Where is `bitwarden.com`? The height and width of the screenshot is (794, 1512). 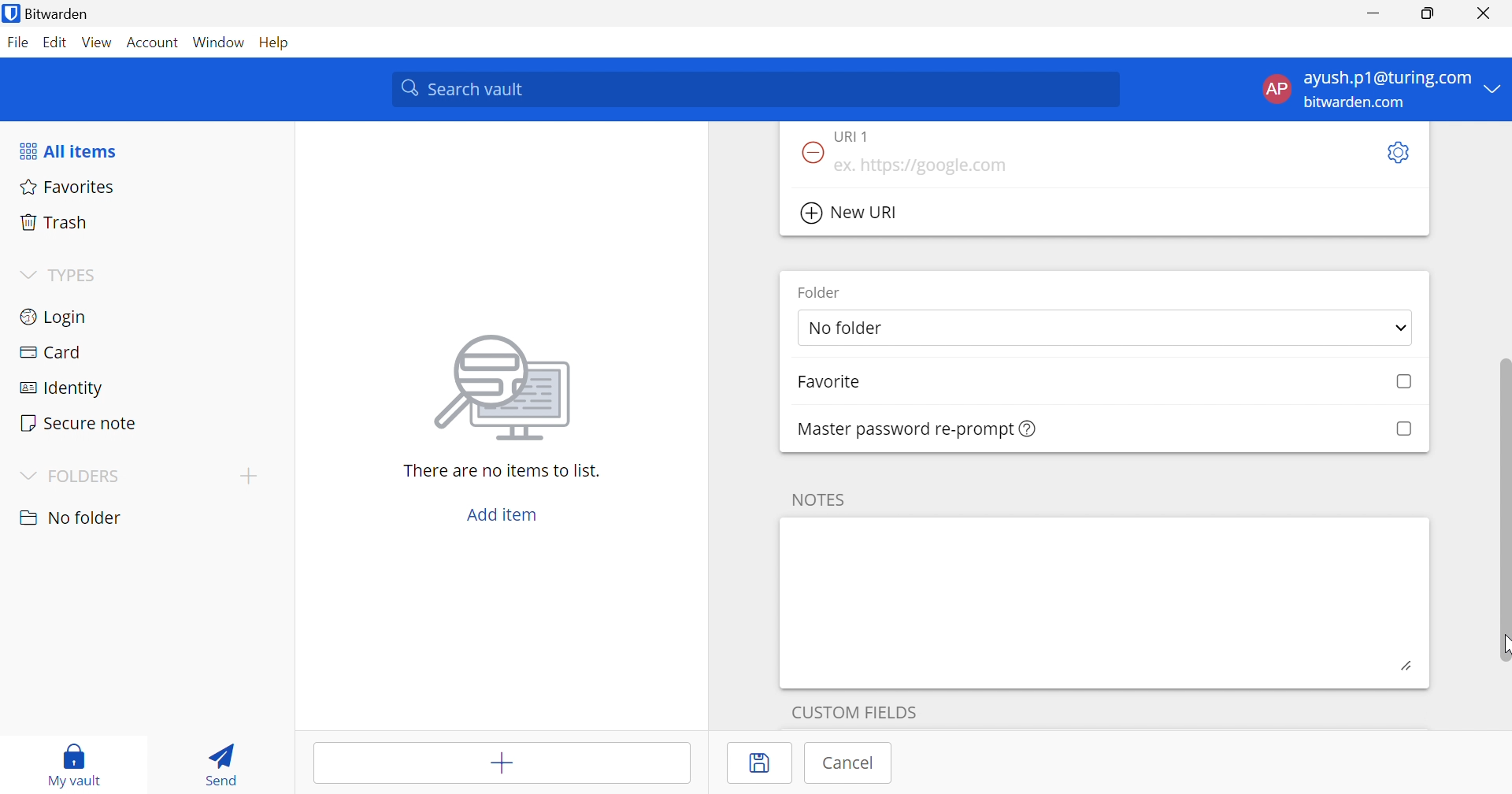
bitwarden.com is located at coordinates (1358, 103).